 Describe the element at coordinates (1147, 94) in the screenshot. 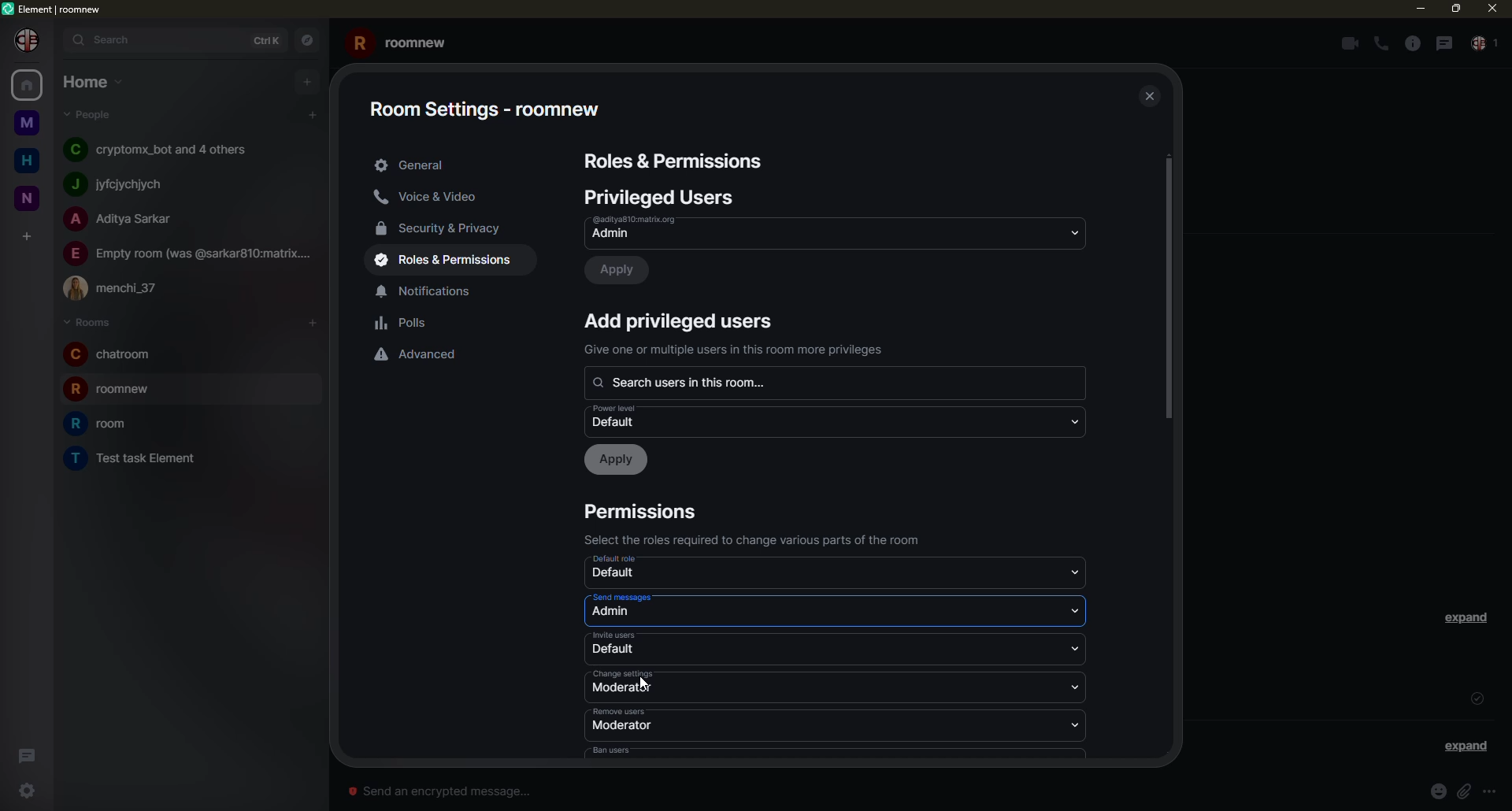

I see `close` at that location.